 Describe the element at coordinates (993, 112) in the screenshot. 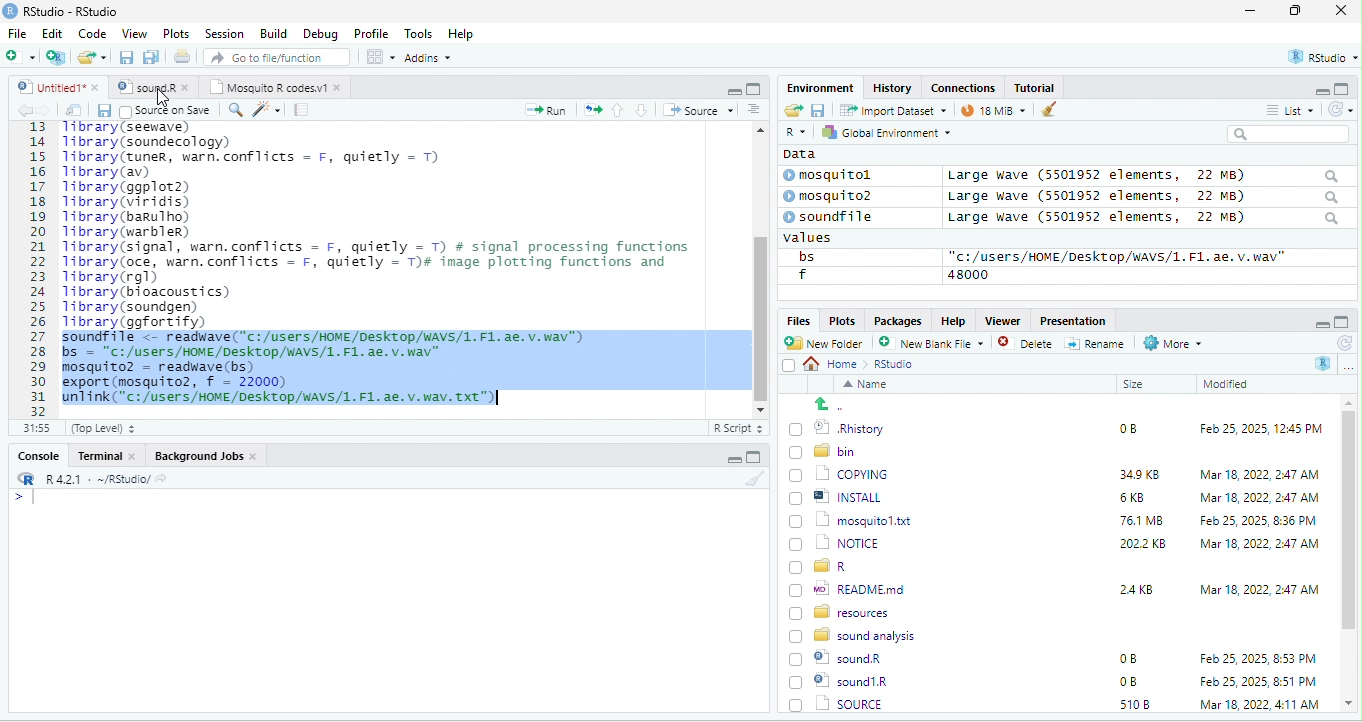

I see `9 mb` at that location.